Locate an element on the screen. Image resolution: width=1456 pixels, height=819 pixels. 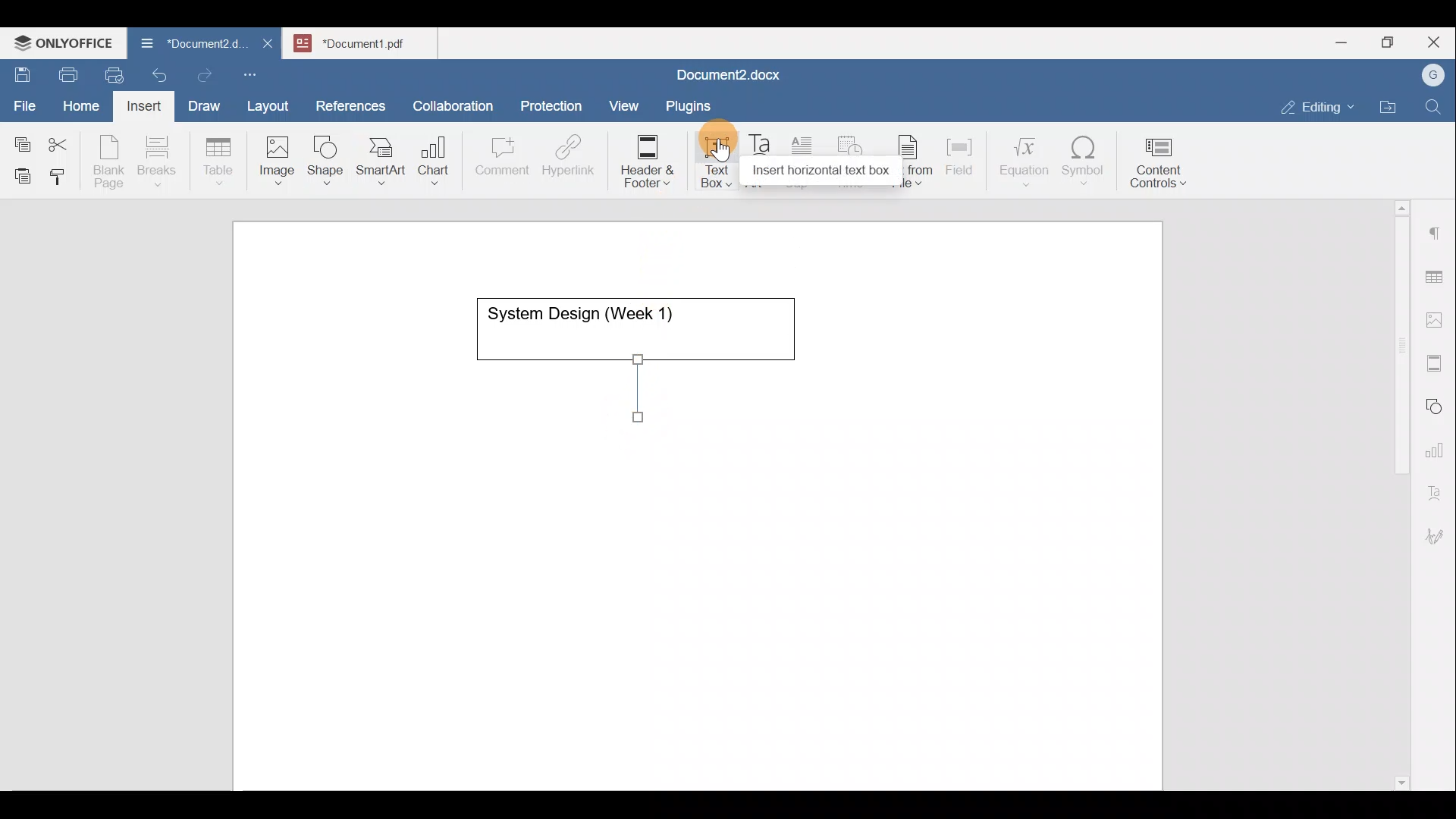
Headers & footers is located at coordinates (1437, 359).